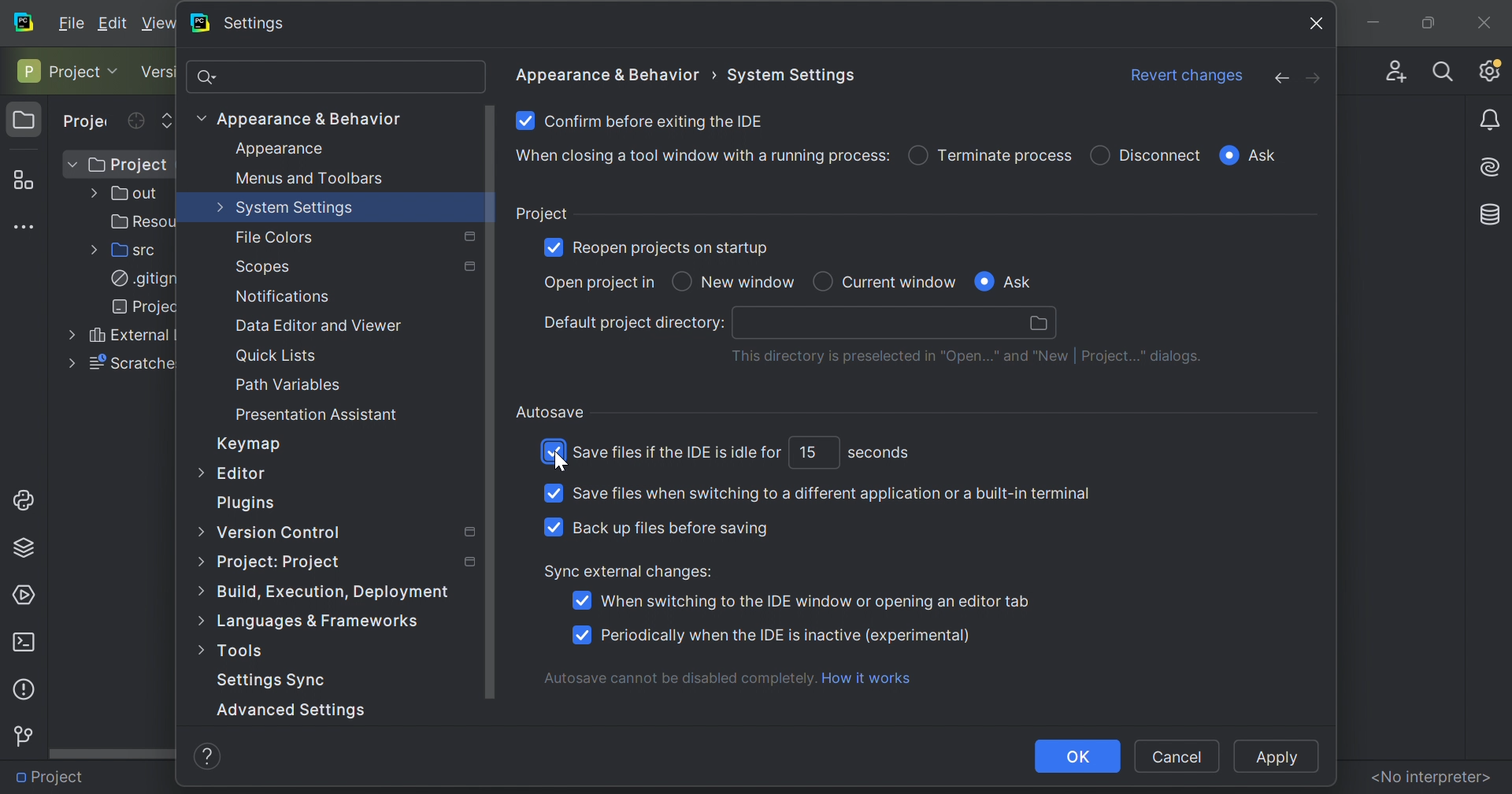  I want to click on Current Window, so click(900, 280).